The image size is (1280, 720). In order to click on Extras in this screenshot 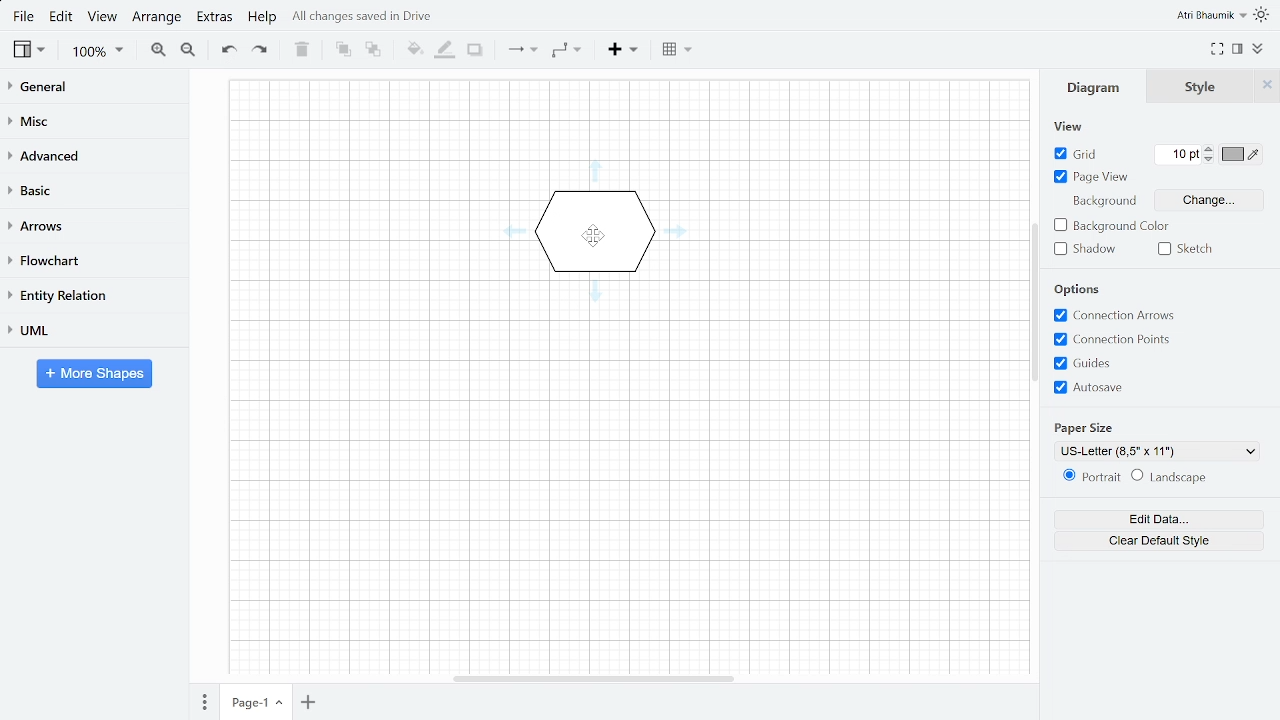, I will do `click(215, 17)`.